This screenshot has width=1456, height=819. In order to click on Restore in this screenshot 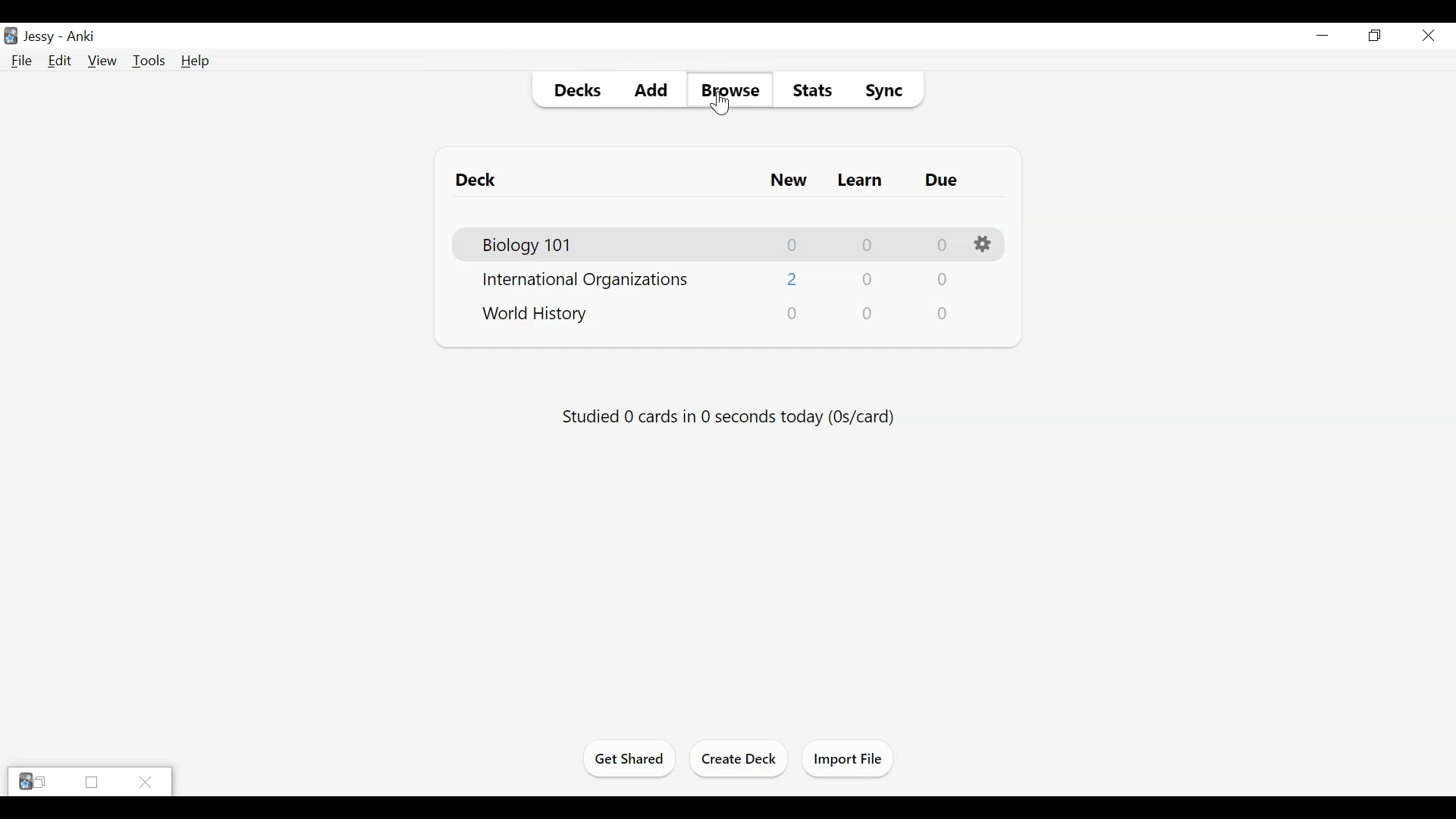, I will do `click(1373, 36)`.